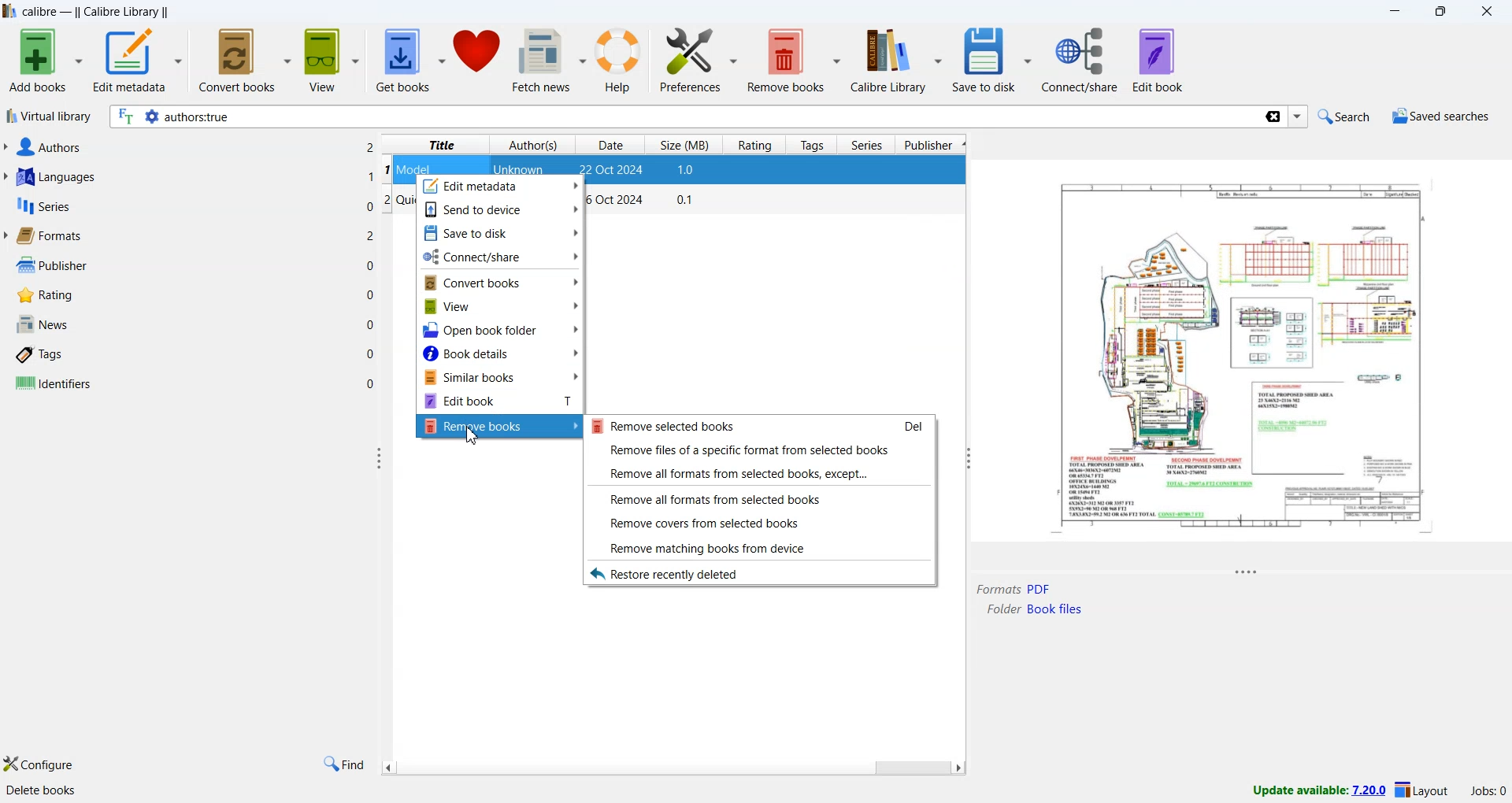  I want to click on model, so click(417, 168).